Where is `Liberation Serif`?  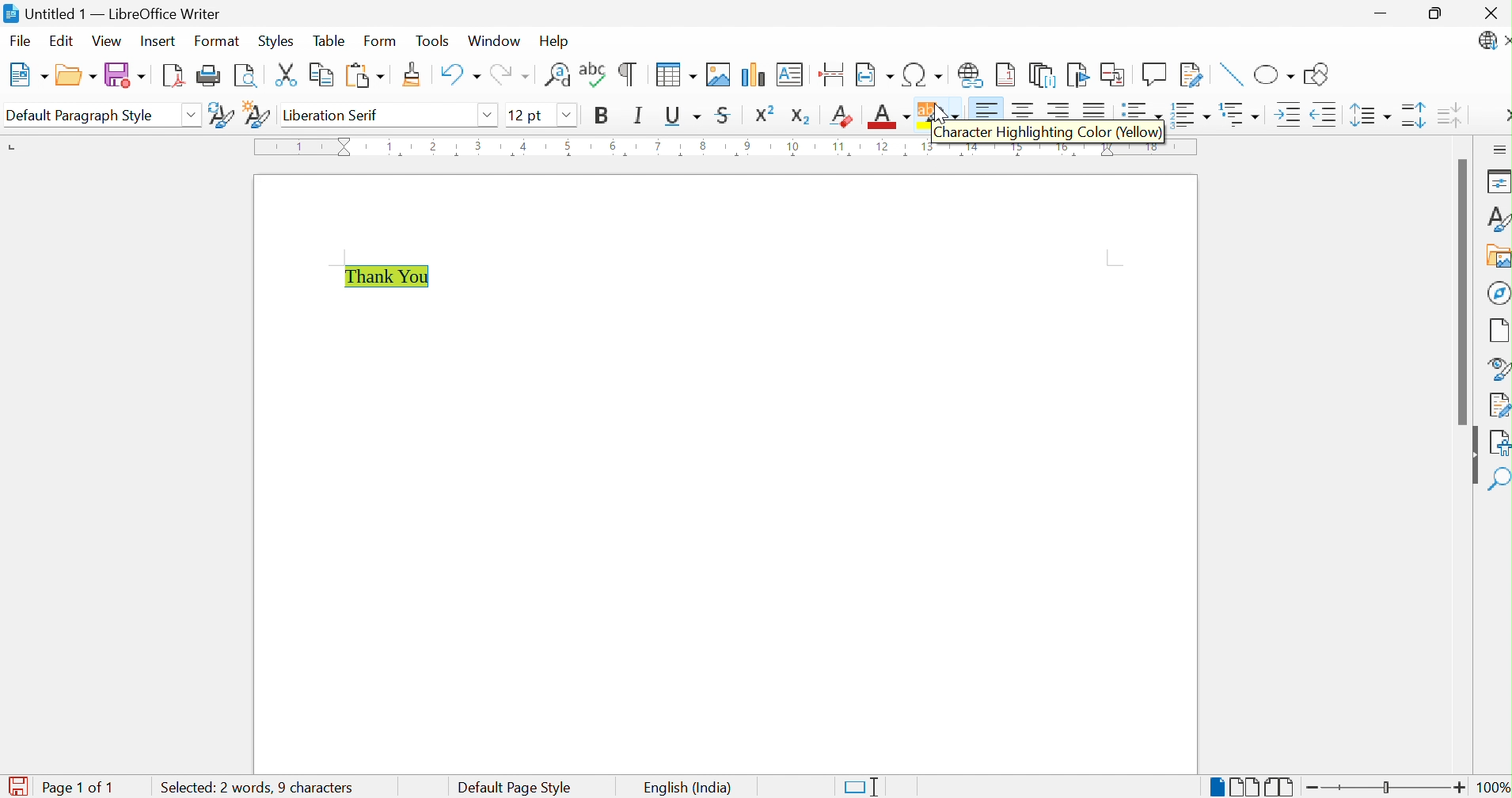
Liberation Serif is located at coordinates (332, 116).